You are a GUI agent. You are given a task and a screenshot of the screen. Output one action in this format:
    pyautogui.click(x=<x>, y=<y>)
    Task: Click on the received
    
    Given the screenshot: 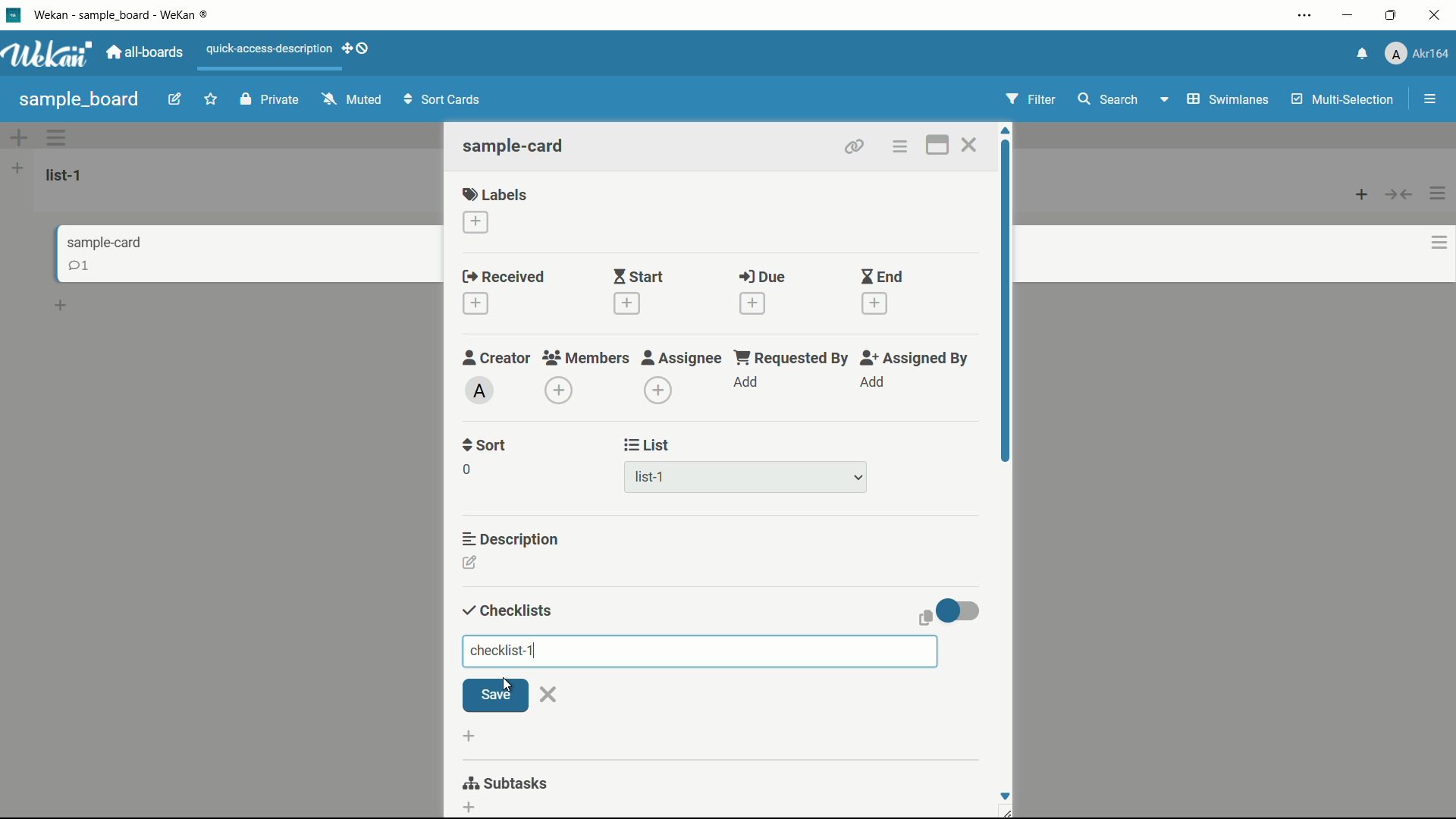 What is the action you would take?
    pyautogui.click(x=500, y=277)
    